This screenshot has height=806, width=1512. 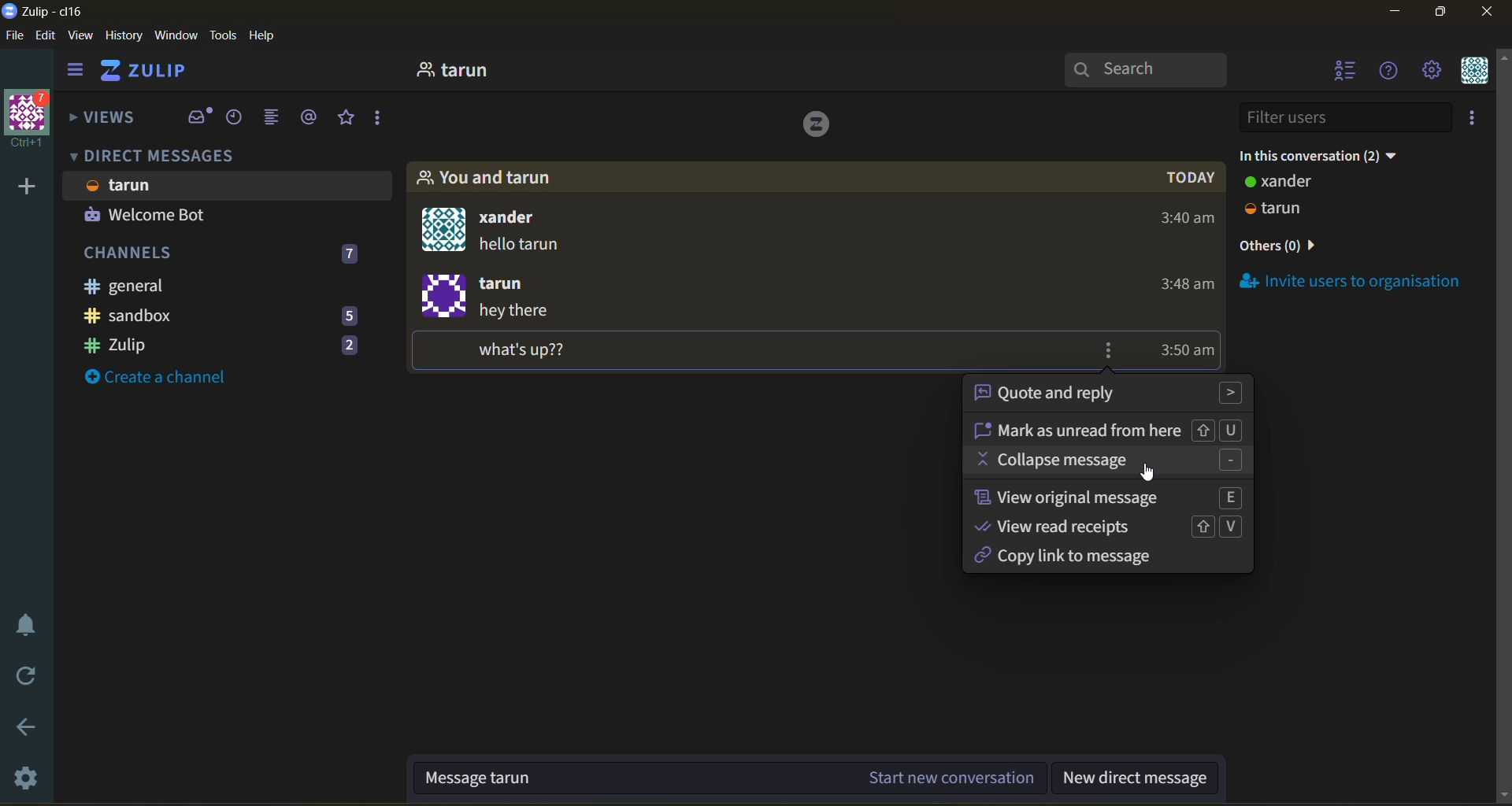 I want to click on star this message, so click(x=1138, y=353).